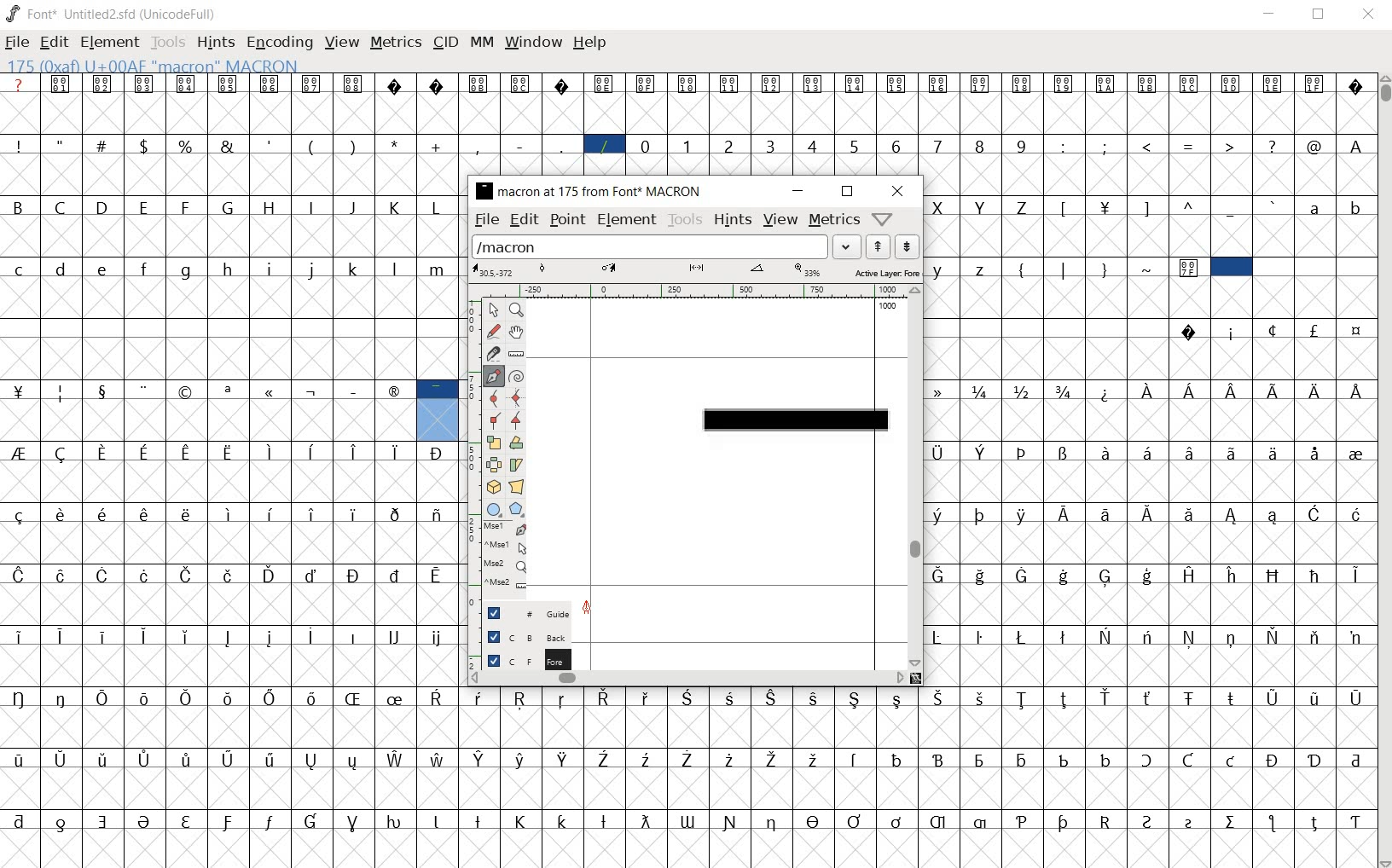  I want to click on Symbol, so click(1149, 820).